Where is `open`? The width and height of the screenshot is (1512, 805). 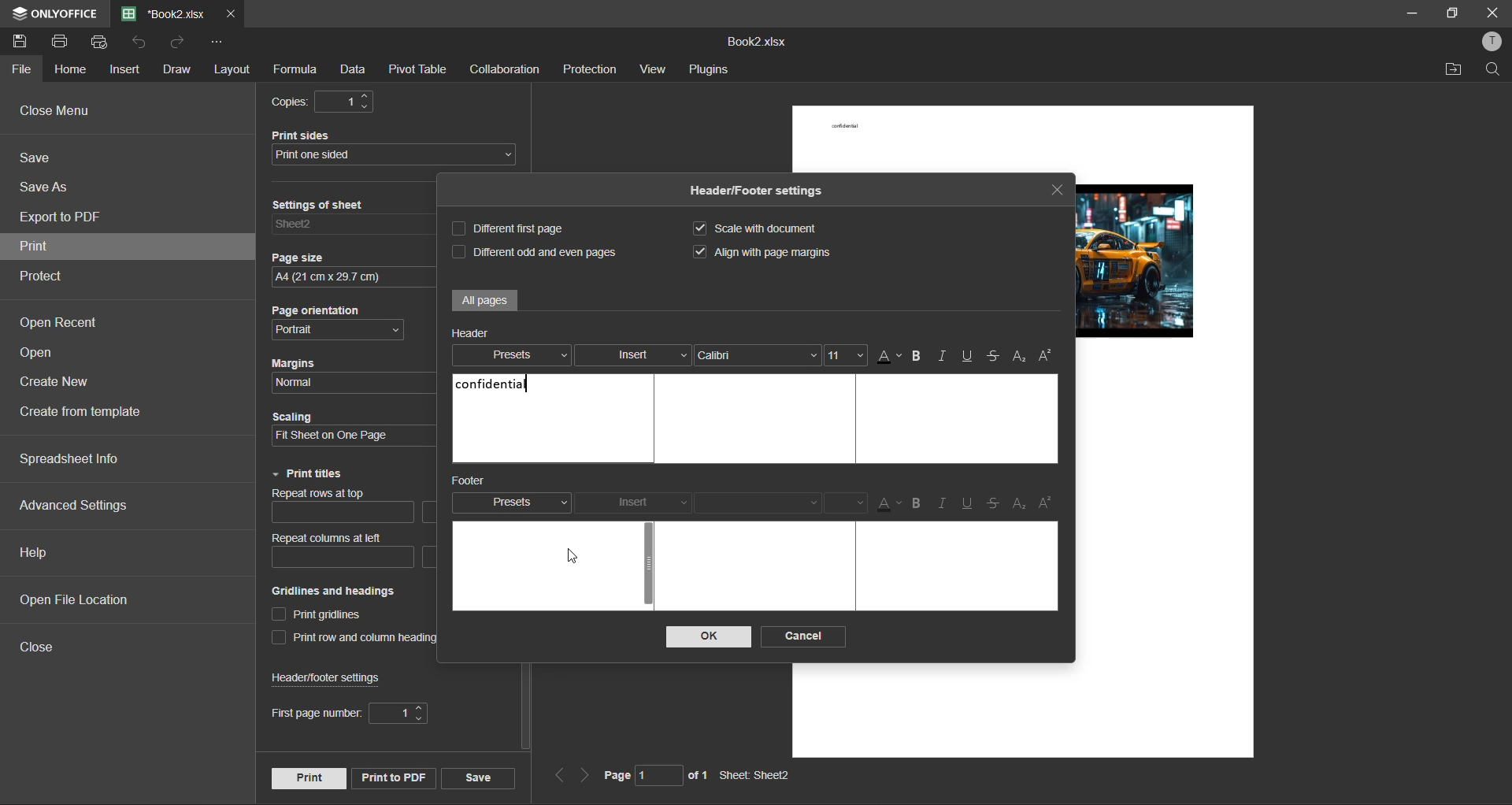 open is located at coordinates (43, 354).